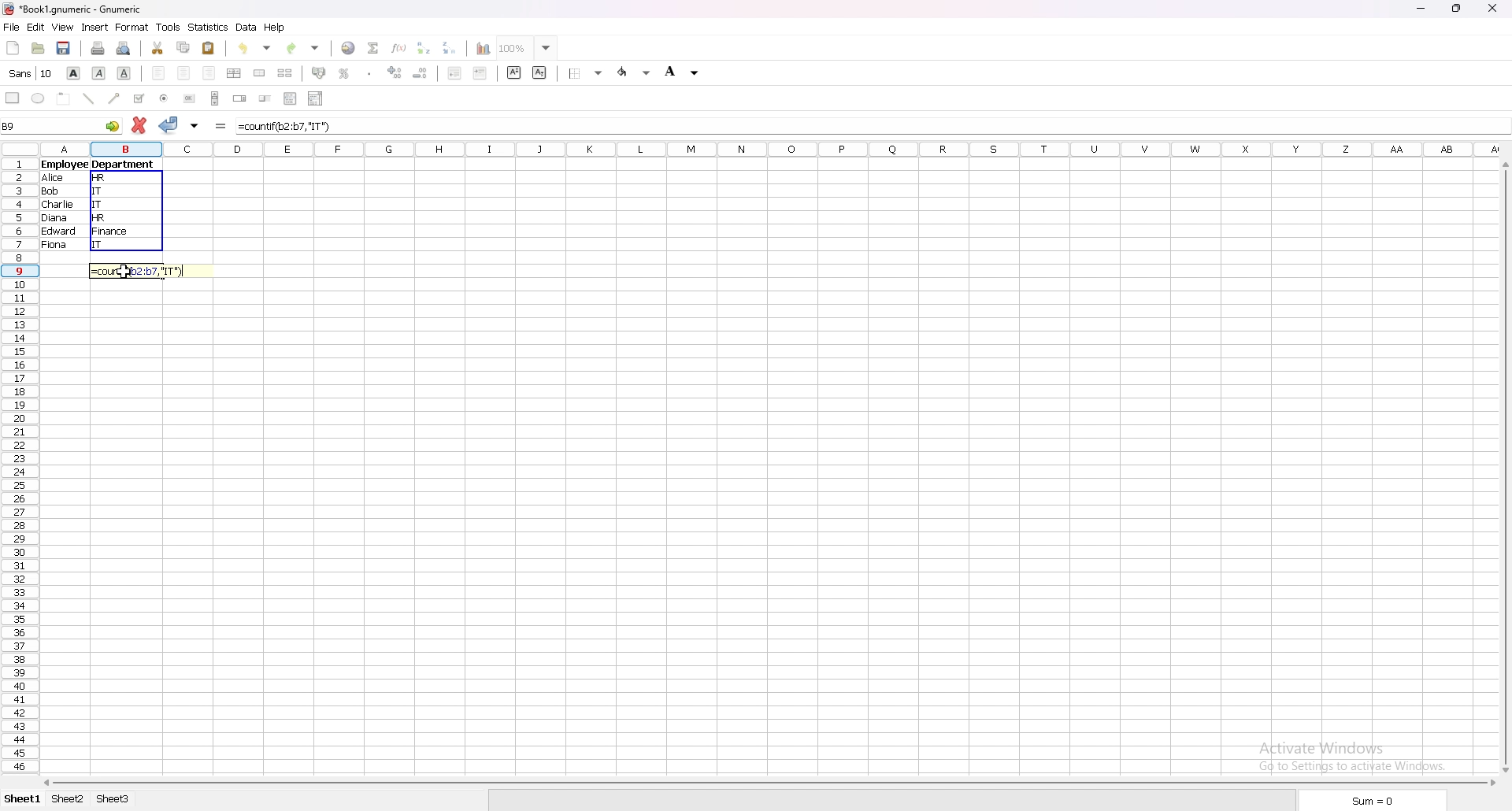 The image size is (1512, 811). What do you see at coordinates (484, 48) in the screenshot?
I see `chart` at bounding box center [484, 48].